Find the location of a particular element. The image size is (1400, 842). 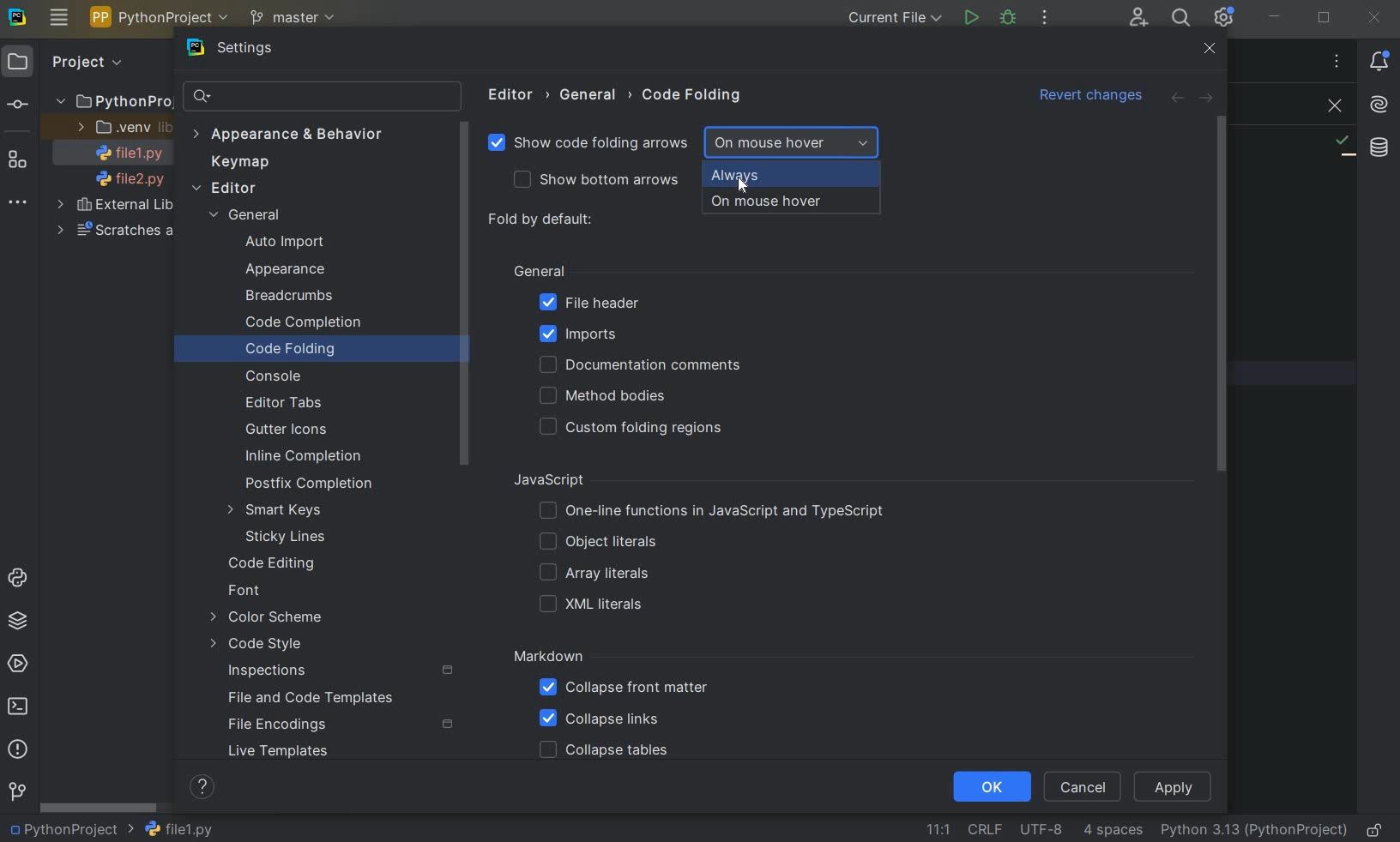

PYTHON PACKAGES is located at coordinates (22, 622).